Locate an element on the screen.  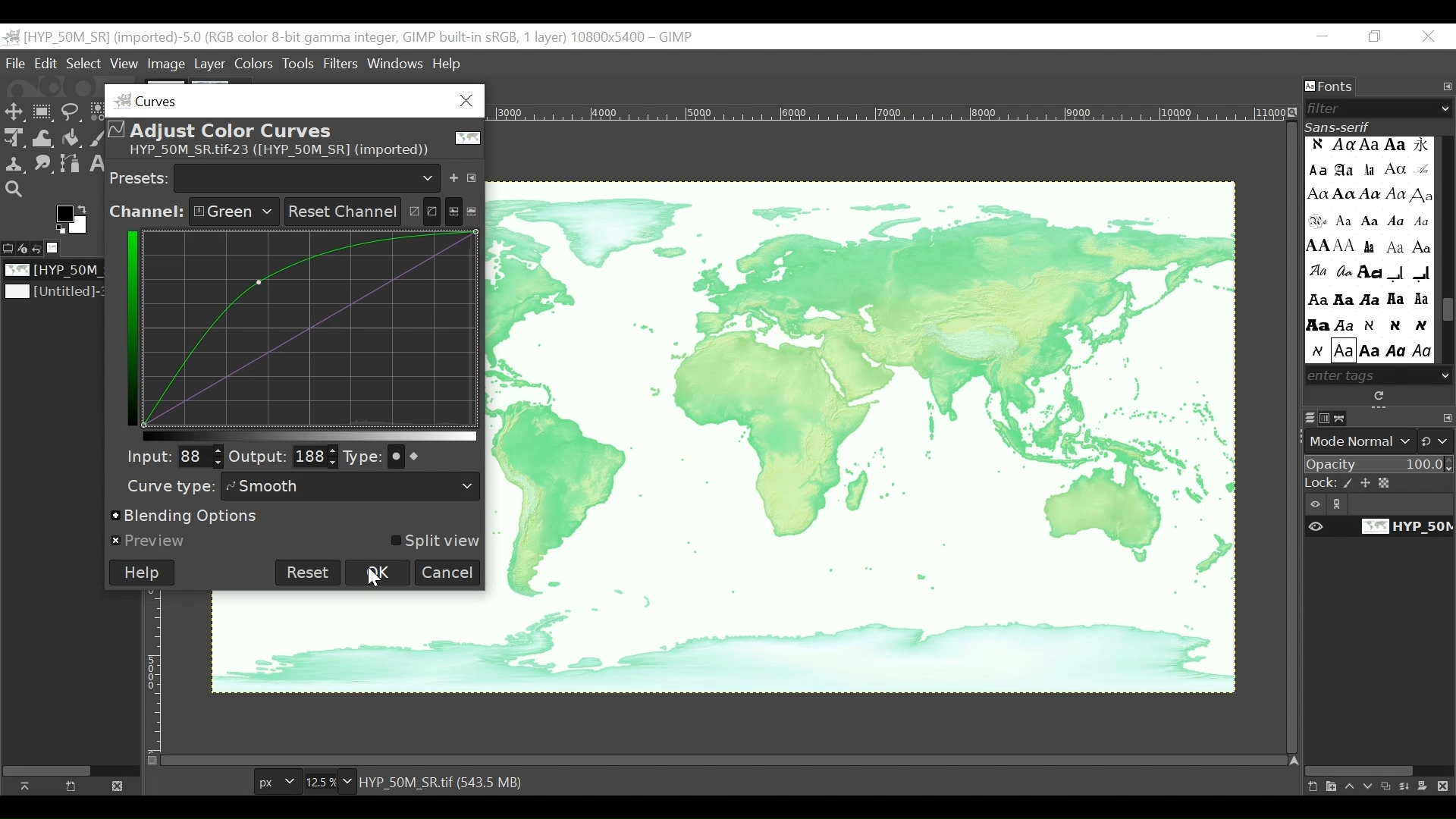
Blending Options is located at coordinates (187, 517).